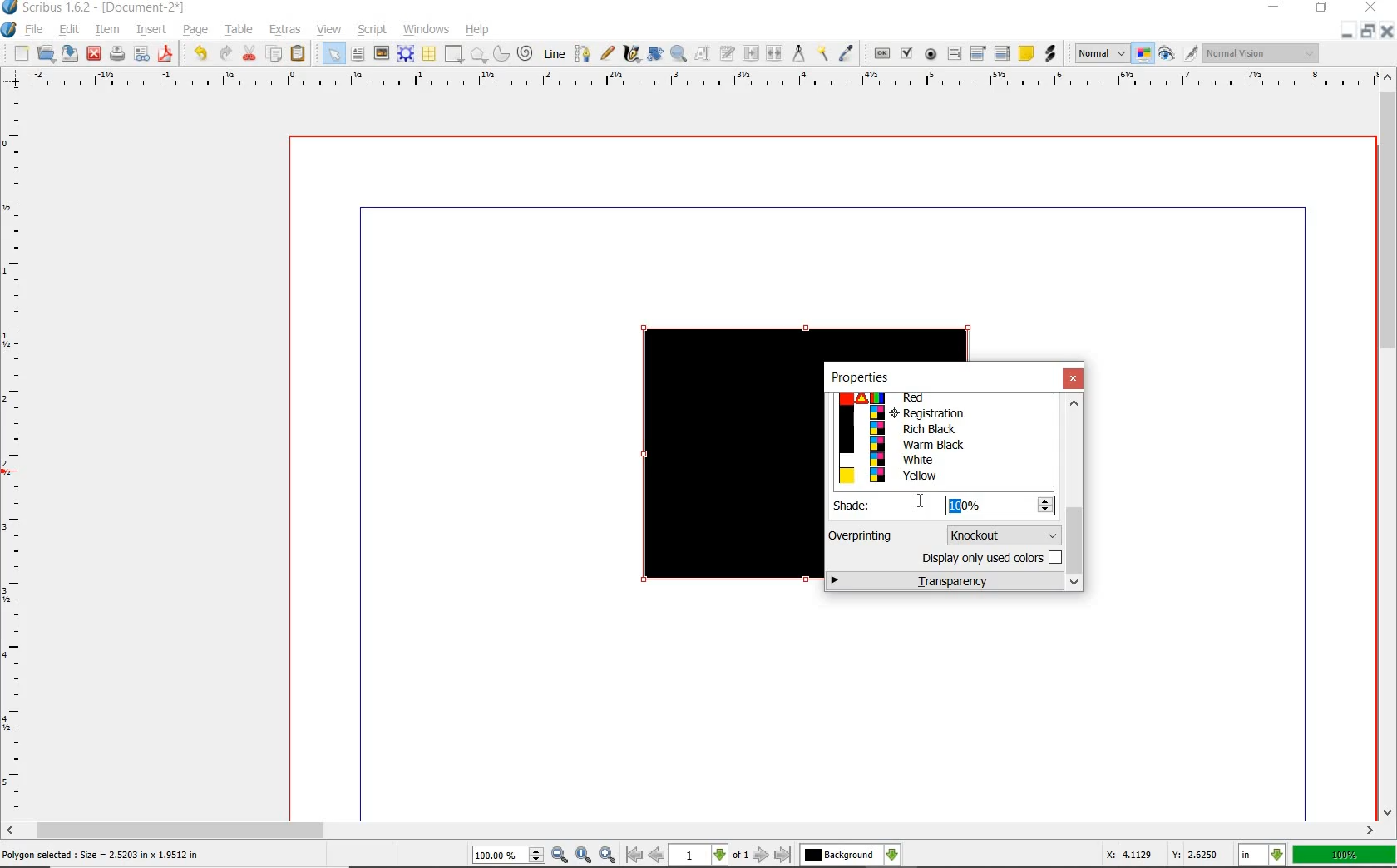  What do you see at coordinates (1190, 53) in the screenshot?
I see `edit in preview mode` at bounding box center [1190, 53].